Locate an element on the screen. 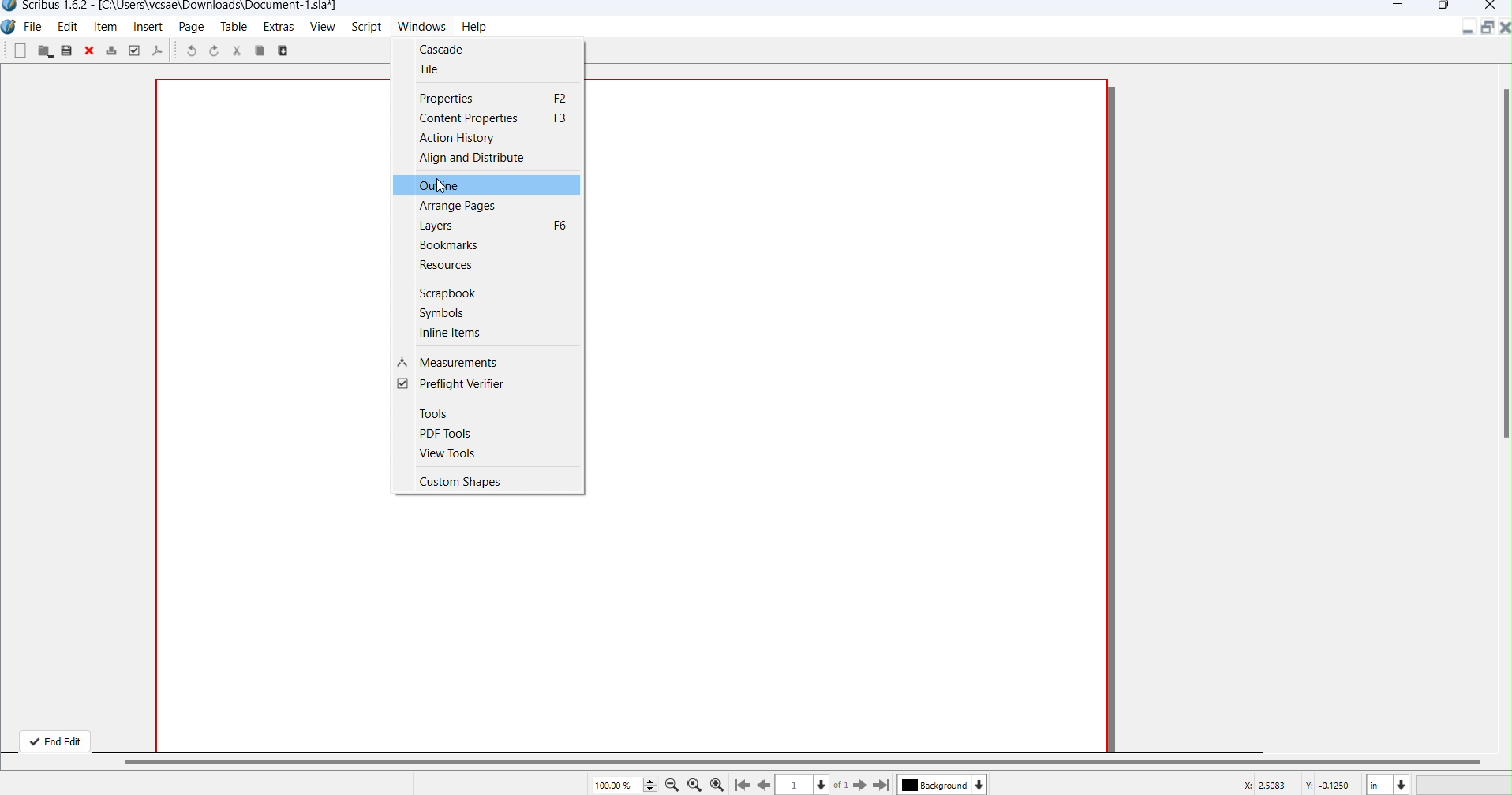 The image size is (1512, 795). Align and distribute is located at coordinates (478, 160).